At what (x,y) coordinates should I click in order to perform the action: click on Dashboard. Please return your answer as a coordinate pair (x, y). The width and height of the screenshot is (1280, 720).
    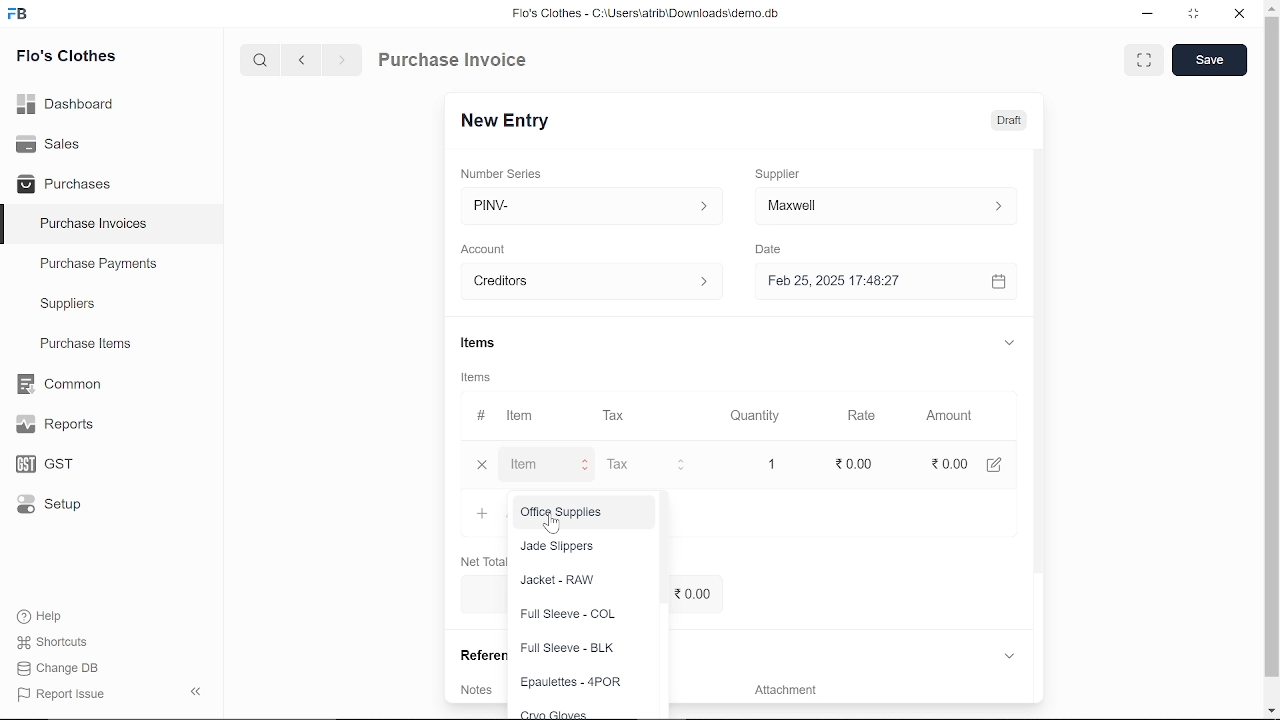
    Looking at the image, I should click on (66, 102).